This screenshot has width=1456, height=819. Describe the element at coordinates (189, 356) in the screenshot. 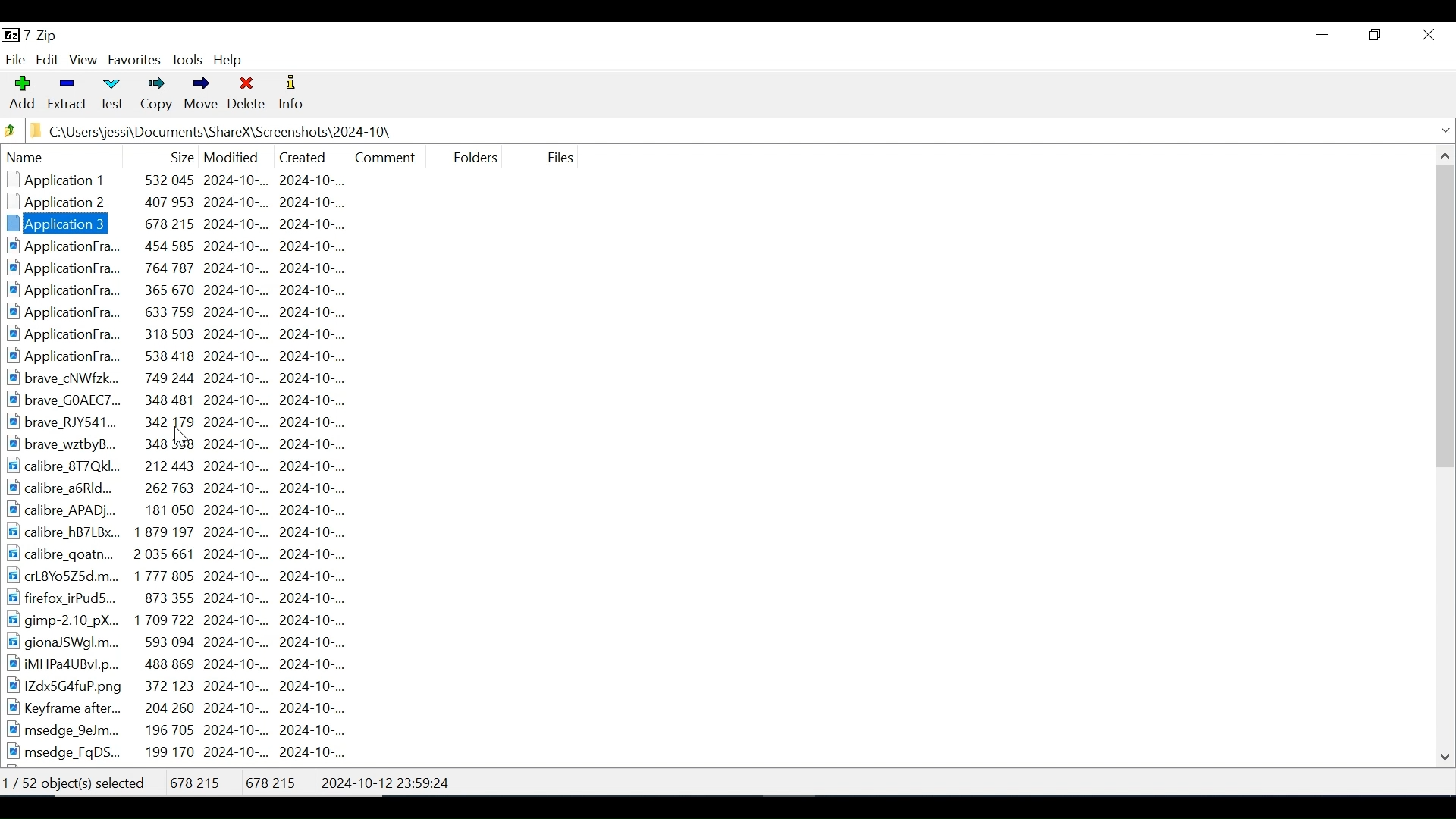

I see `ApplicationFra.. 538 418 2024-10-.. 2024-10-...` at that location.